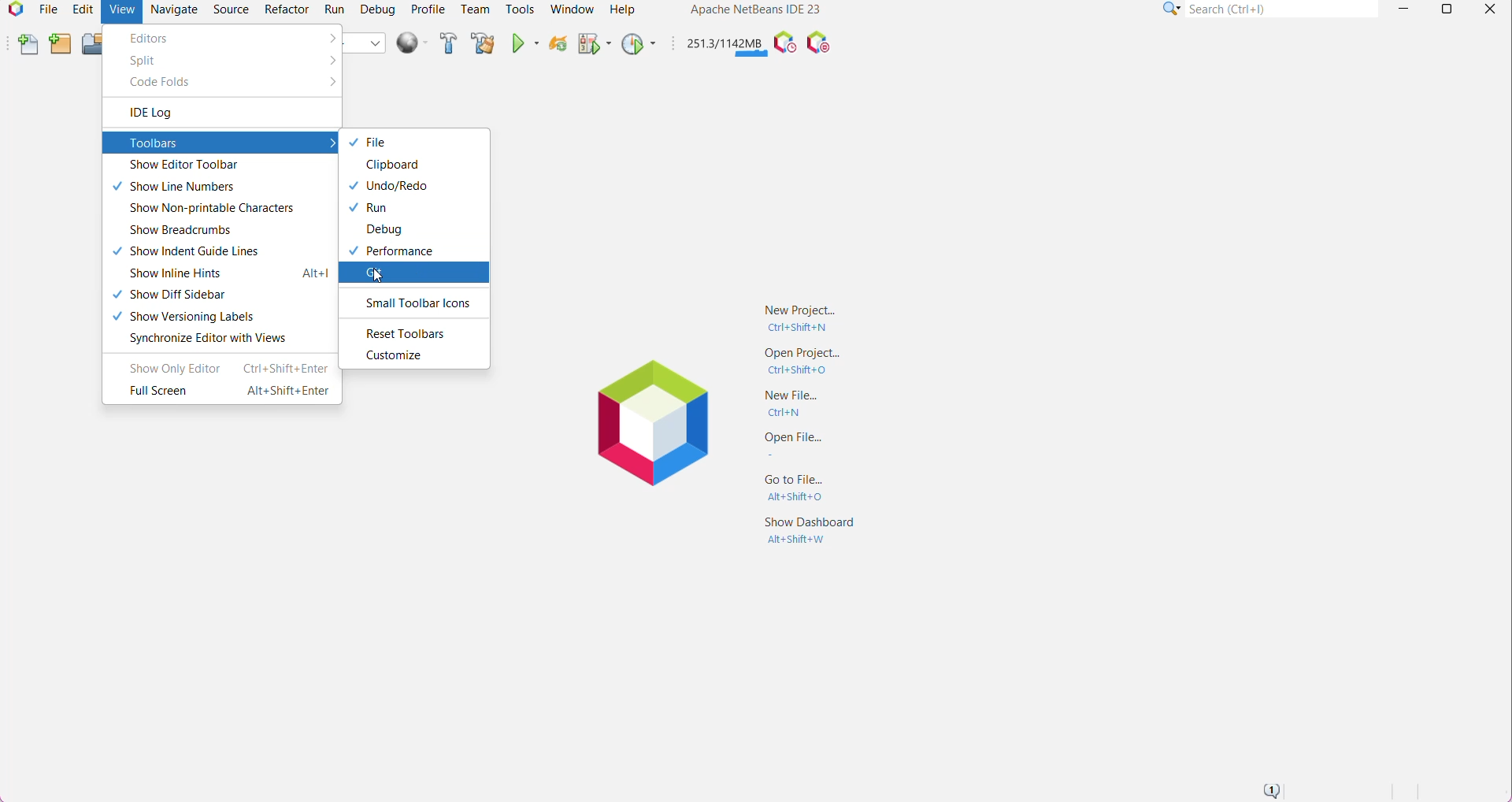  I want to click on Click to enable Git toolbar for quick access, so click(413, 272).